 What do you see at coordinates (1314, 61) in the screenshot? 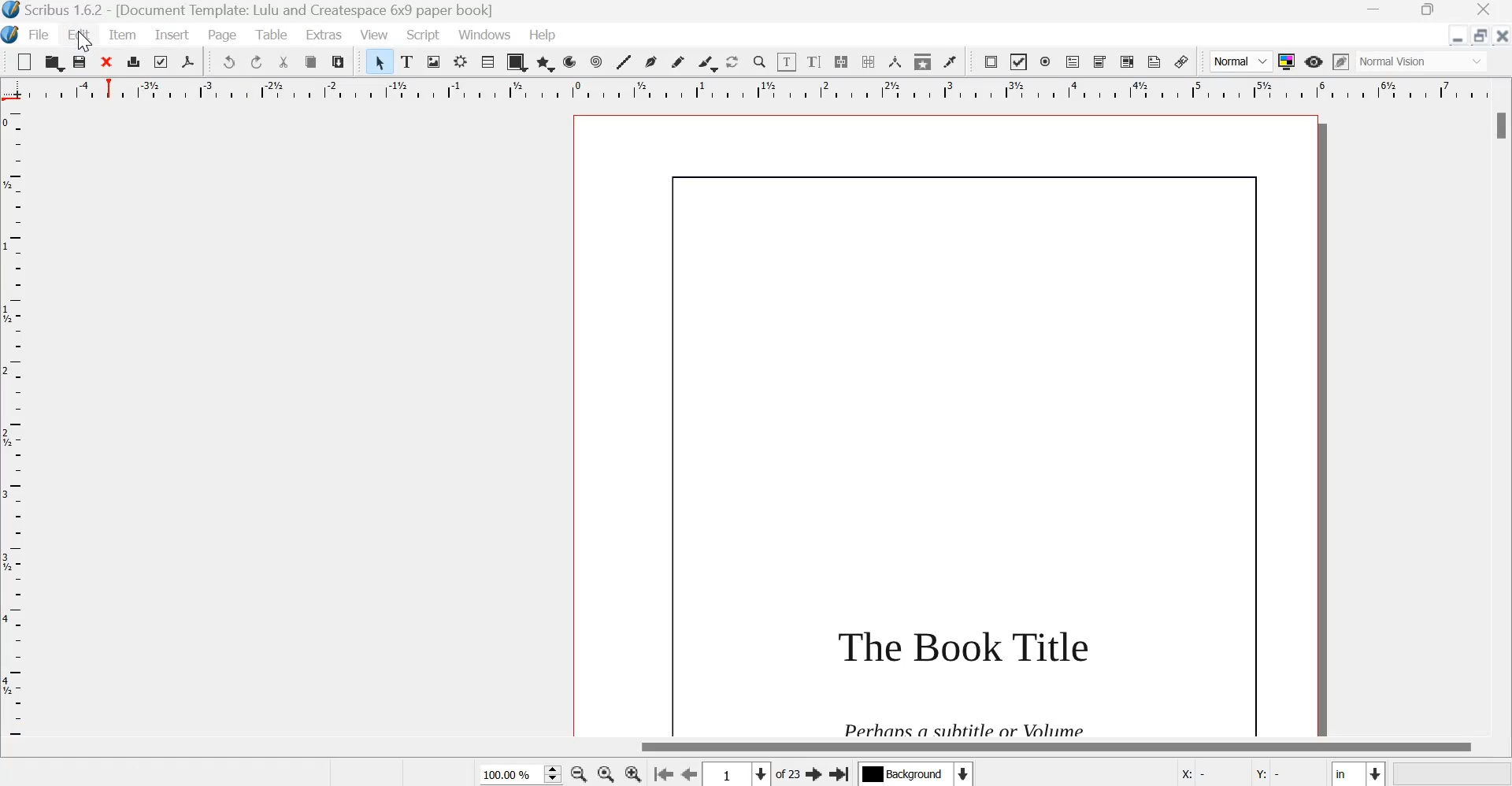
I see `Preview Mode` at bounding box center [1314, 61].